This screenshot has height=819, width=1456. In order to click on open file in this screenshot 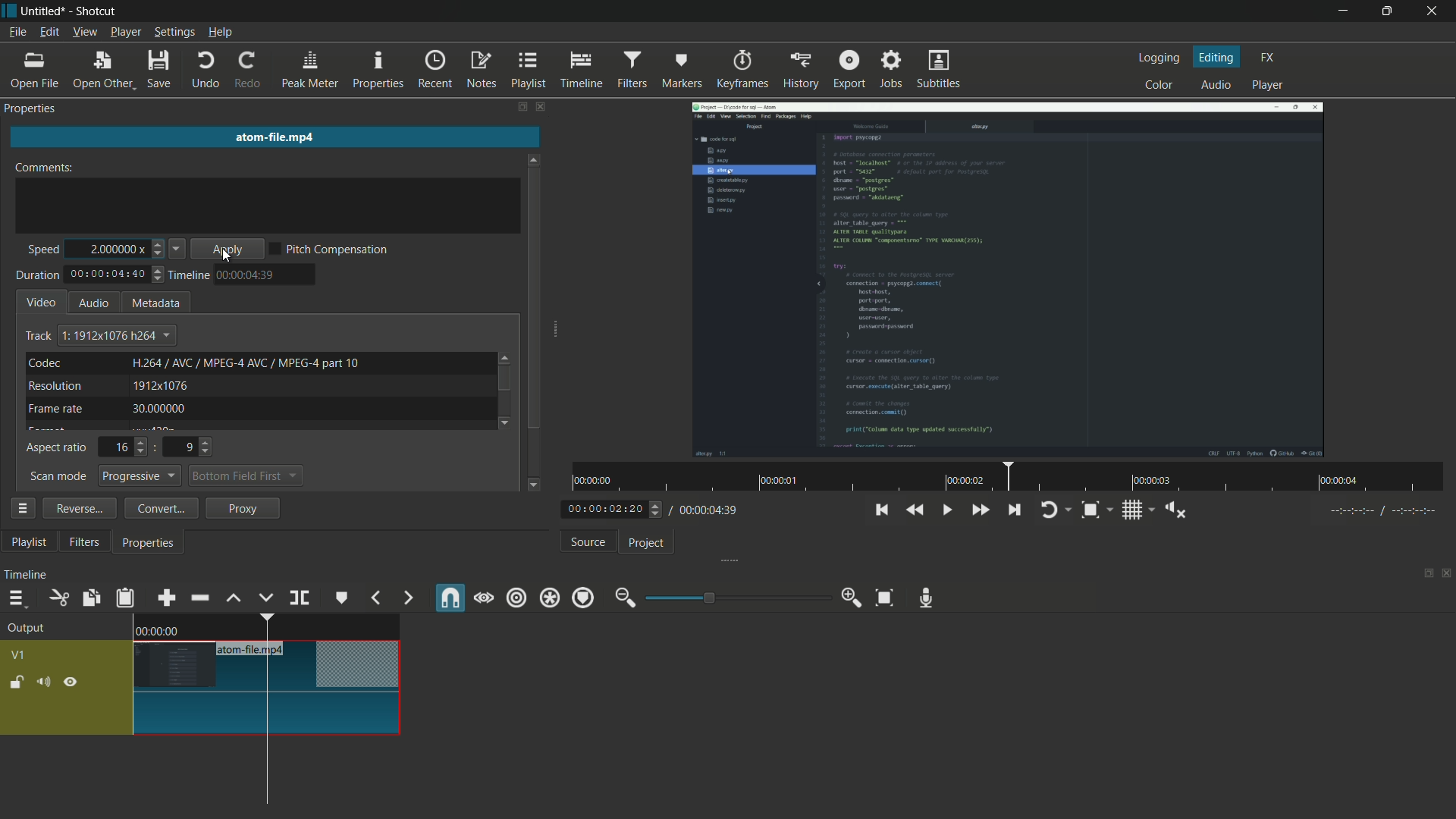, I will do `click(33, 72)`.